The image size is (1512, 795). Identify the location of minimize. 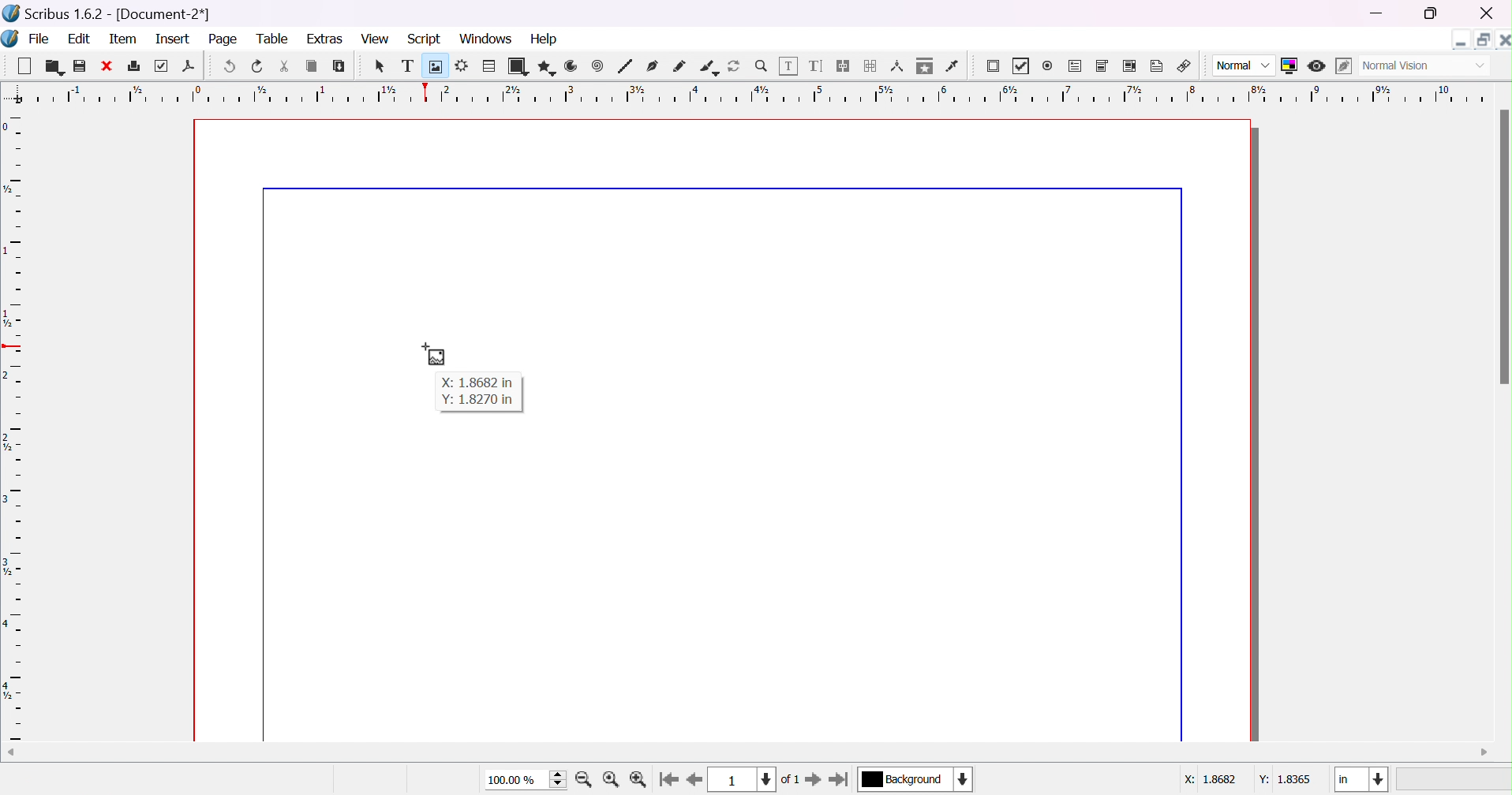
(1461, 39).